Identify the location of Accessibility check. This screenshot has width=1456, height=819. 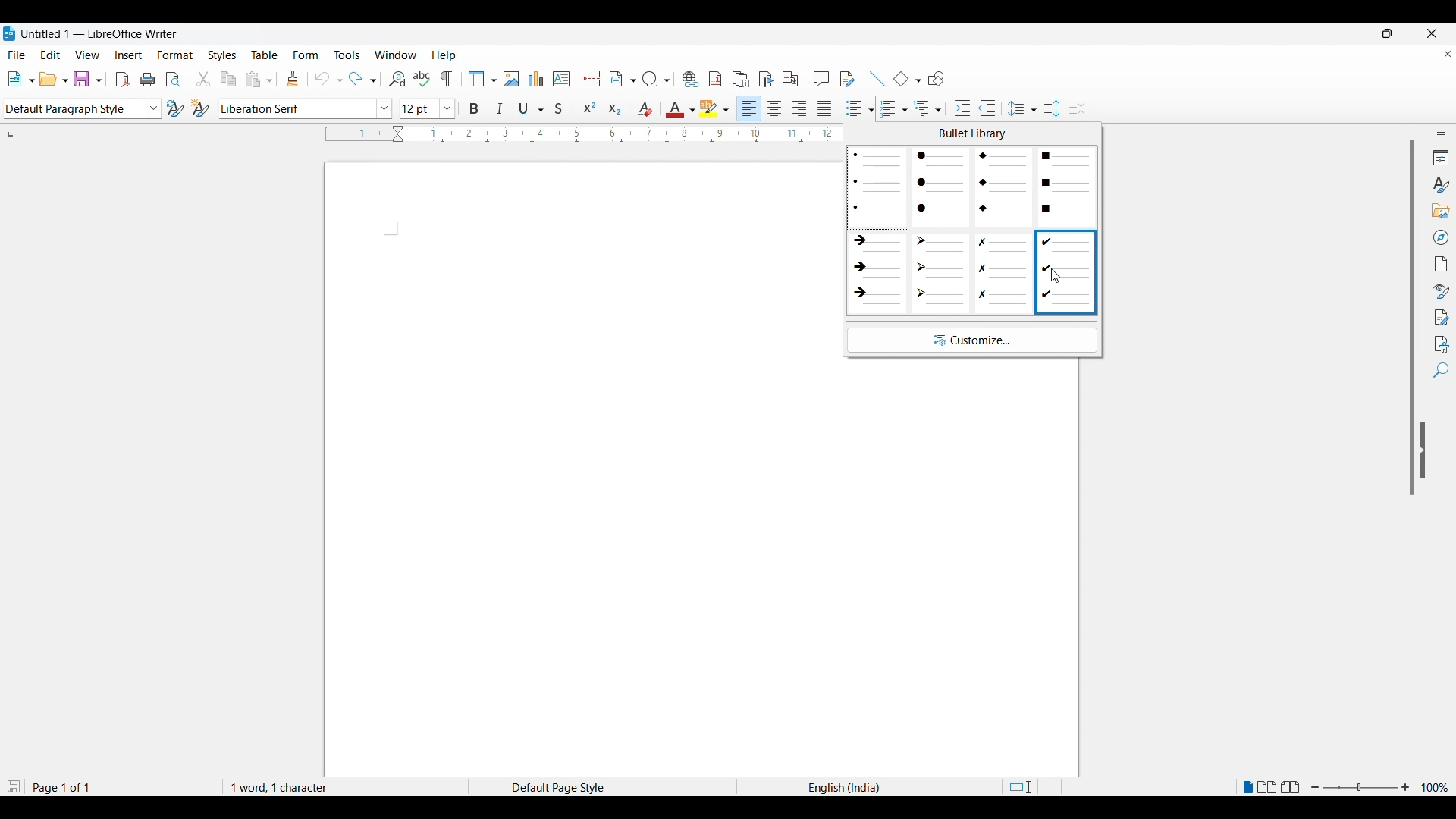
(1437, 343).